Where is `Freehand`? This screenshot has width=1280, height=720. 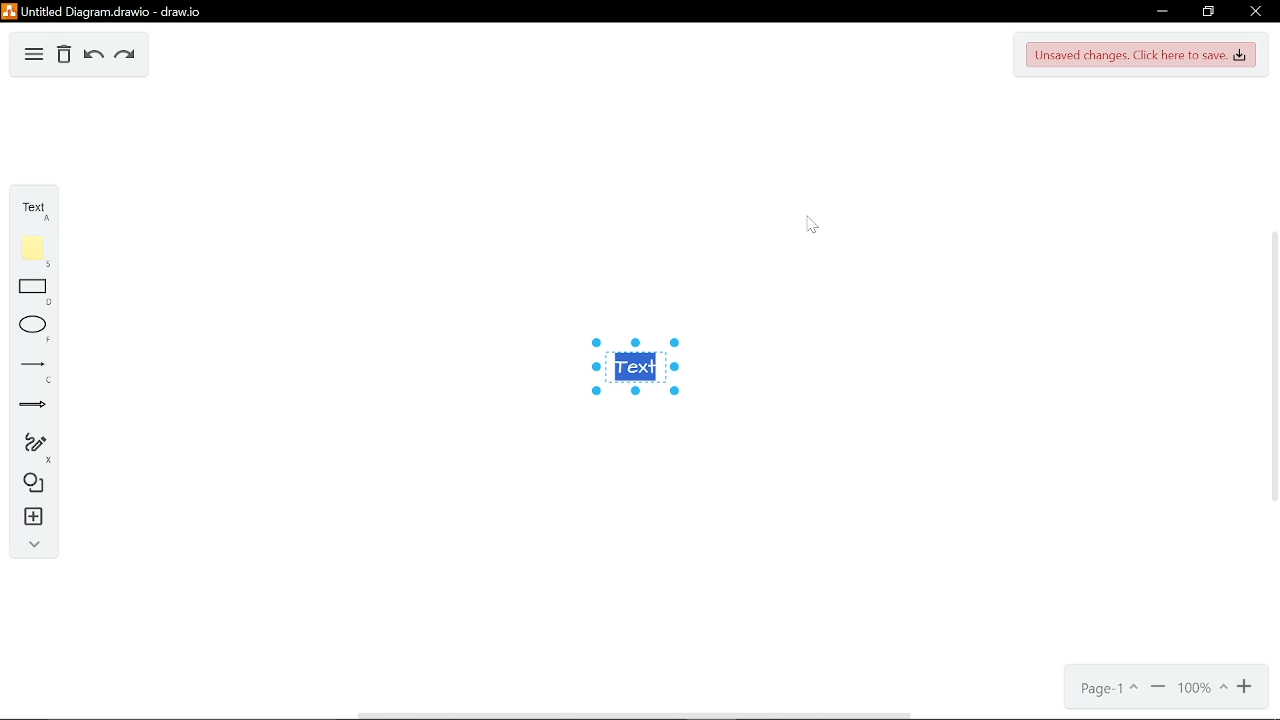 Freehand is located at coordinates (29, 447).